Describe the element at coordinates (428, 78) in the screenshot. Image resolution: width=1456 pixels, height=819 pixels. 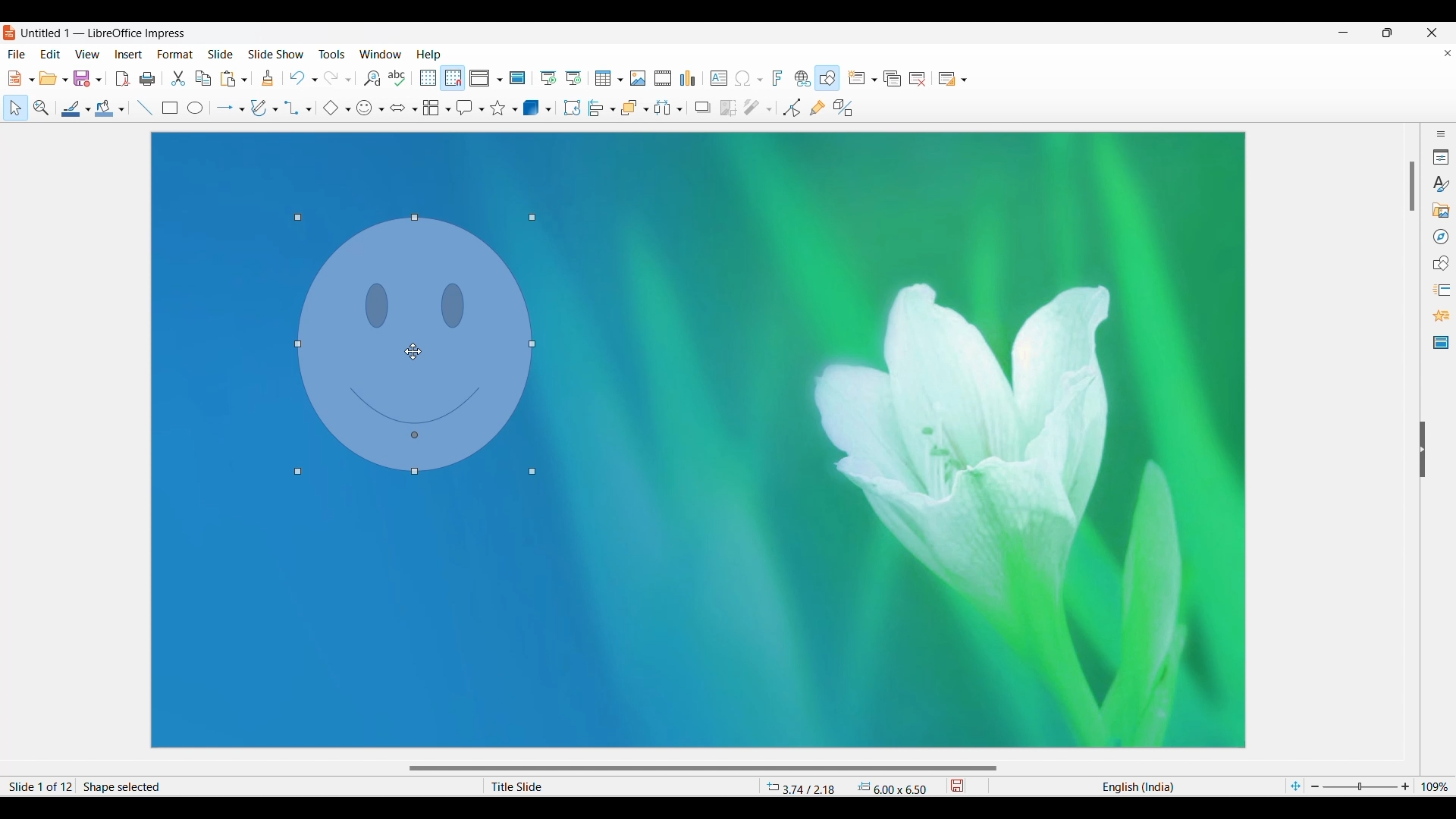
I see `Display grid` at that location.